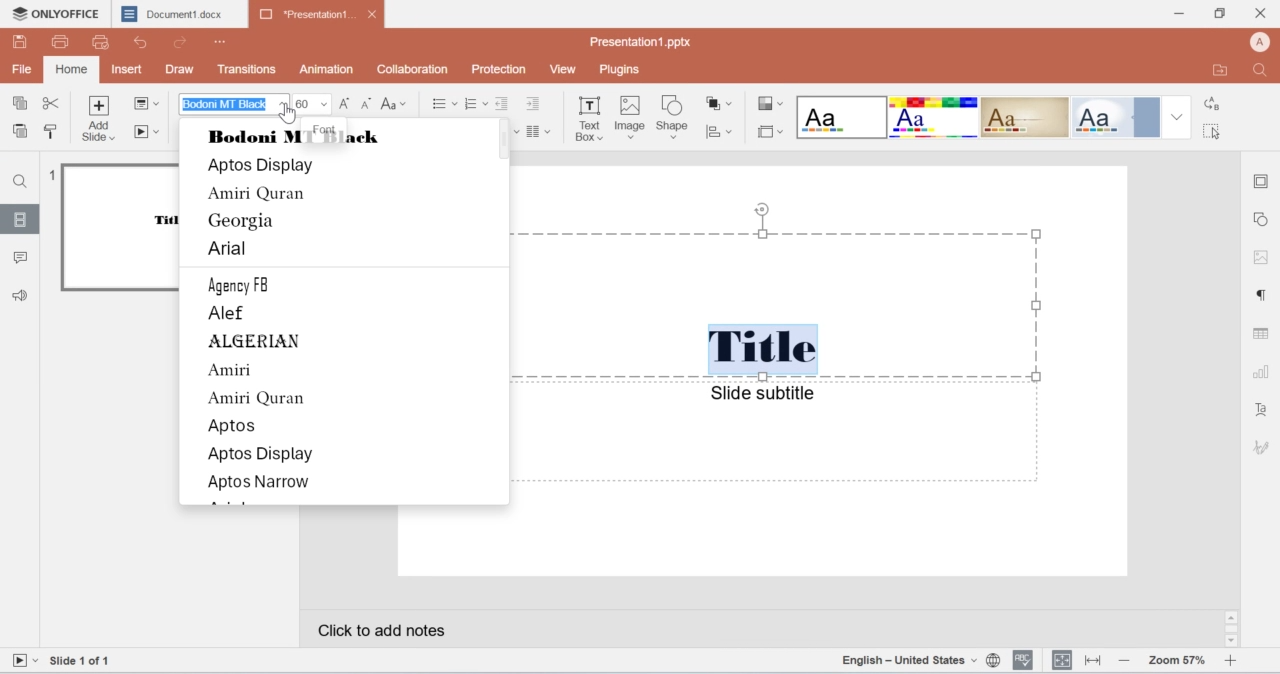  Describe the element at coordinates (1223, 70) in the screenshot. I see `export` at that location.